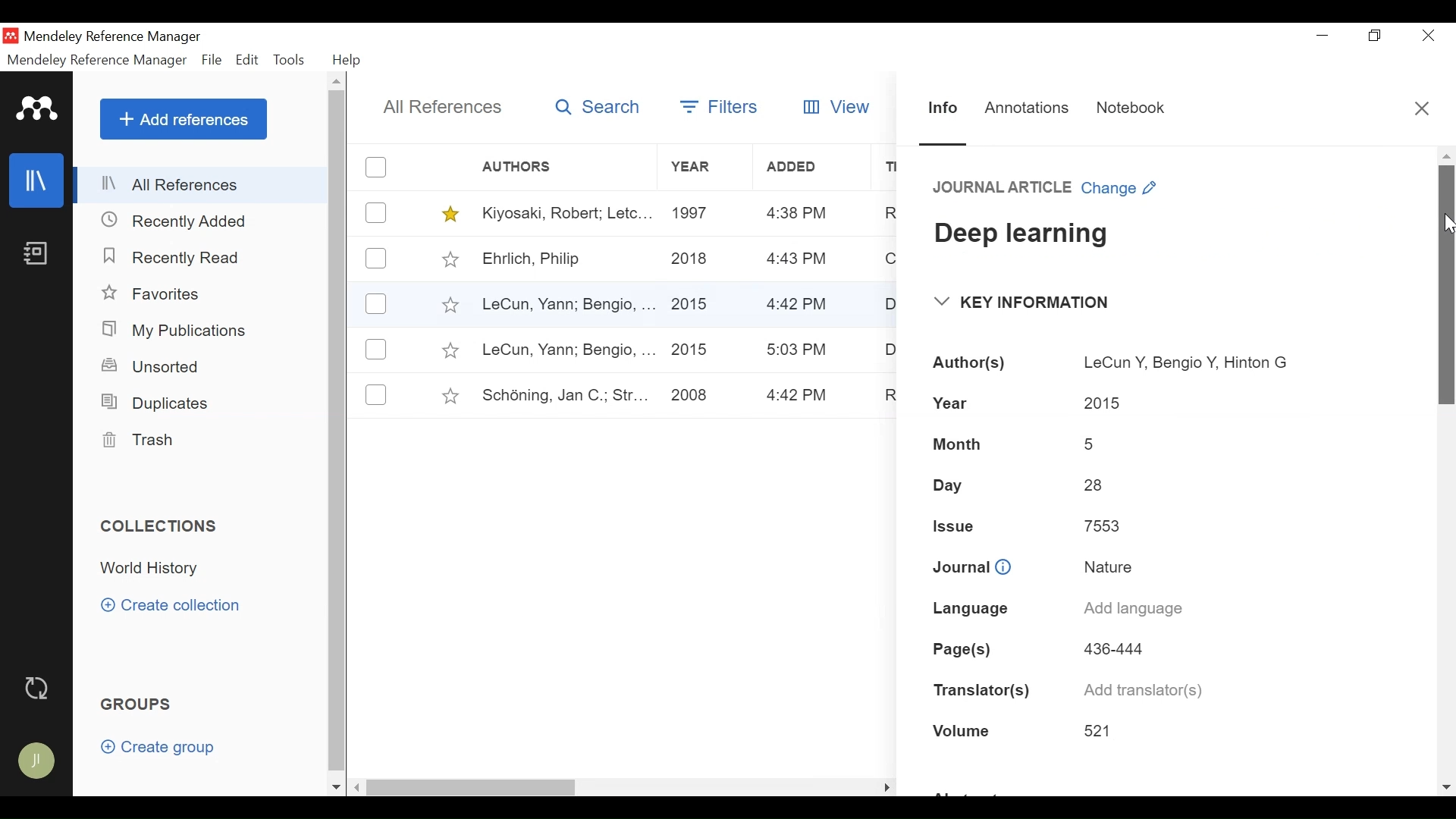 The height and width of the screenshot is (819, 1456). Describe the element at coordinates (799, 396) in the screenshot. I see `4:42 PM` at that location.